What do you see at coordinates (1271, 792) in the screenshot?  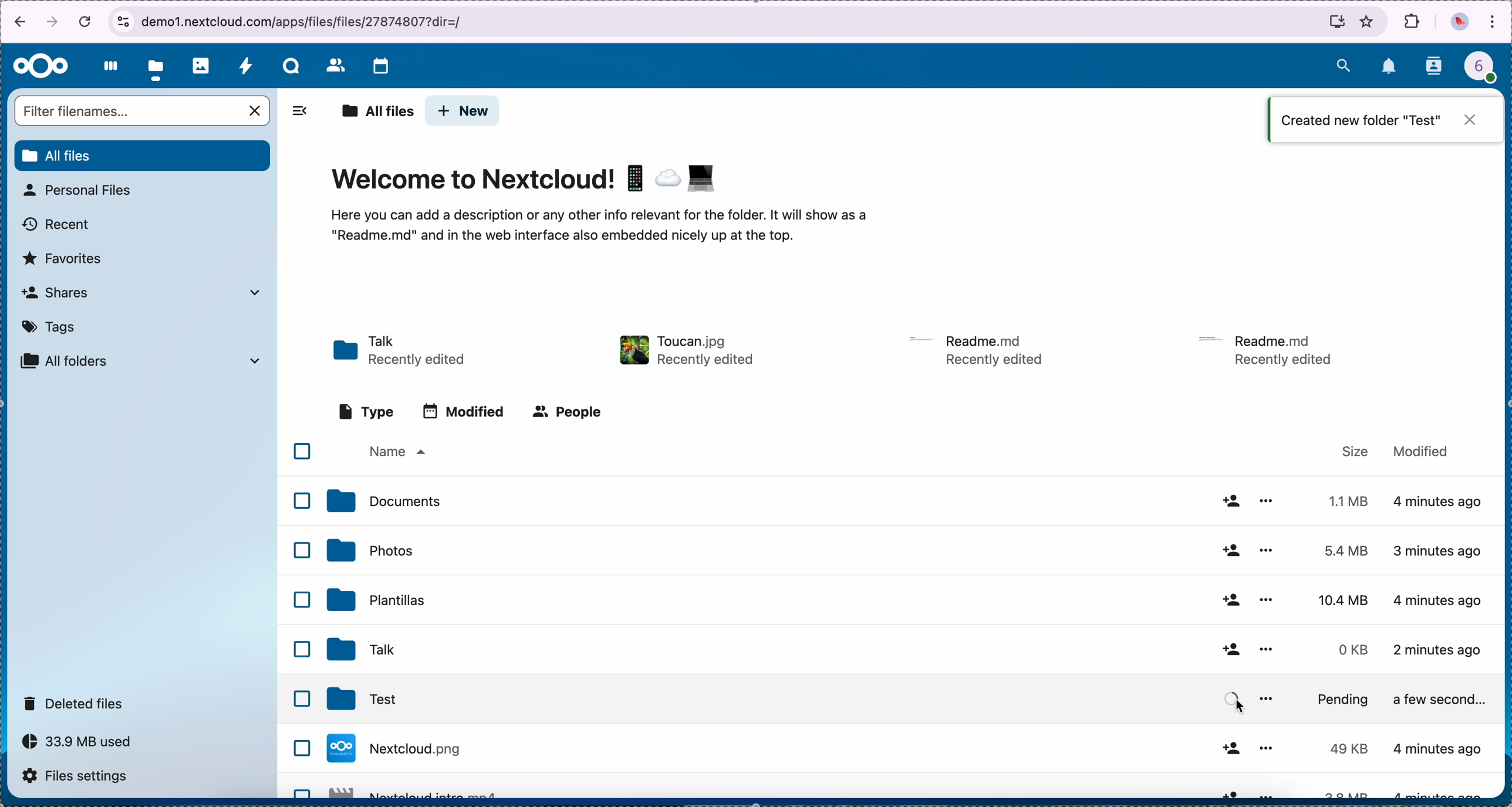 I see `more options` at bounding box center [1271, 792].